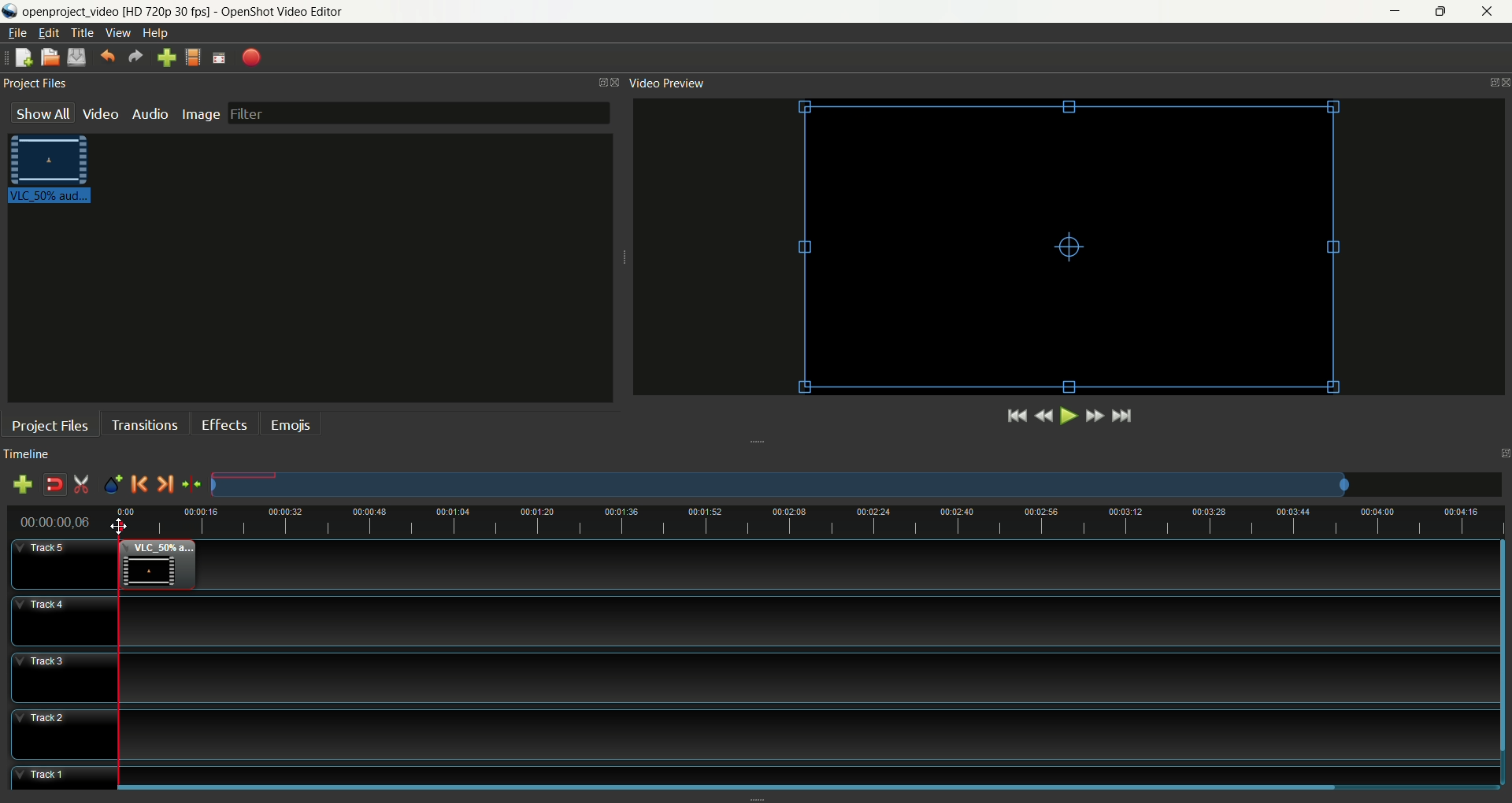  What do you see at coordinates (193, 56) in the screenshot?
I see `choose profile` at bounding box center [193, 56].